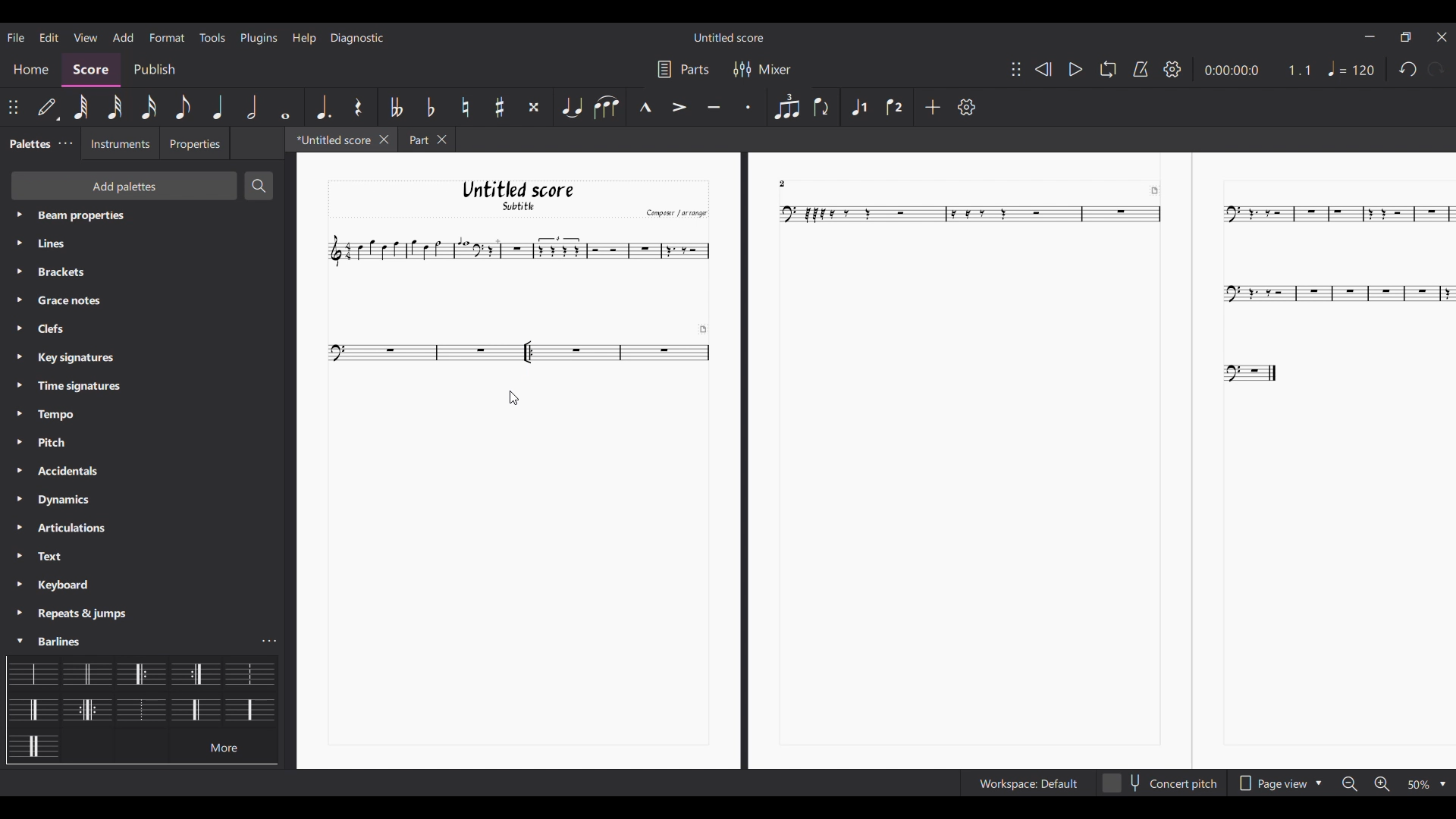 The height and width of the screenshot is (819, 1456). What do you see at coordinates (36, 672) in the screenshot?
I see `Barline options` at bounding box center [36, 672].